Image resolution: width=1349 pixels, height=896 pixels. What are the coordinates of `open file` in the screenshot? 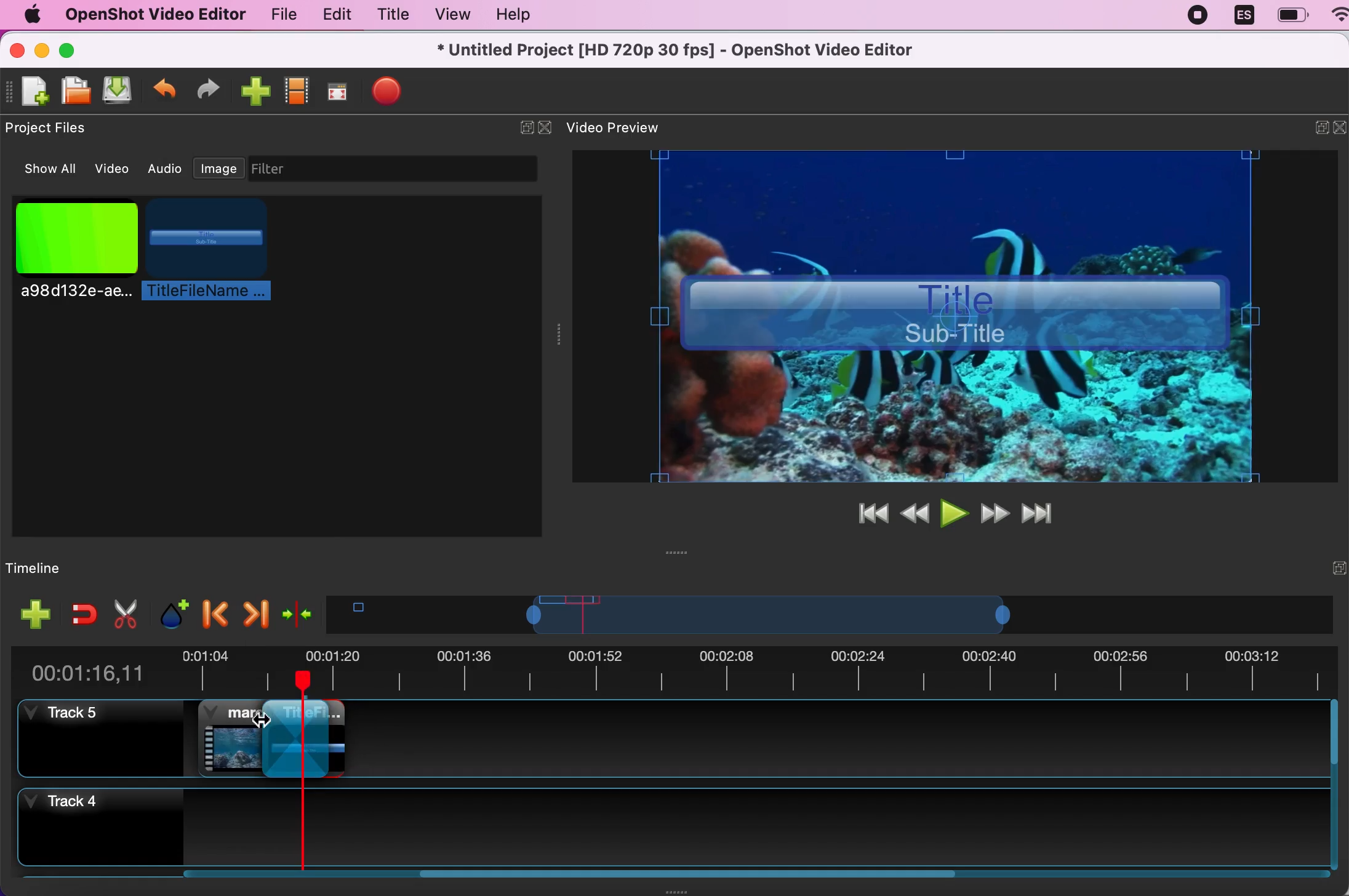 It's located at (77, 91).